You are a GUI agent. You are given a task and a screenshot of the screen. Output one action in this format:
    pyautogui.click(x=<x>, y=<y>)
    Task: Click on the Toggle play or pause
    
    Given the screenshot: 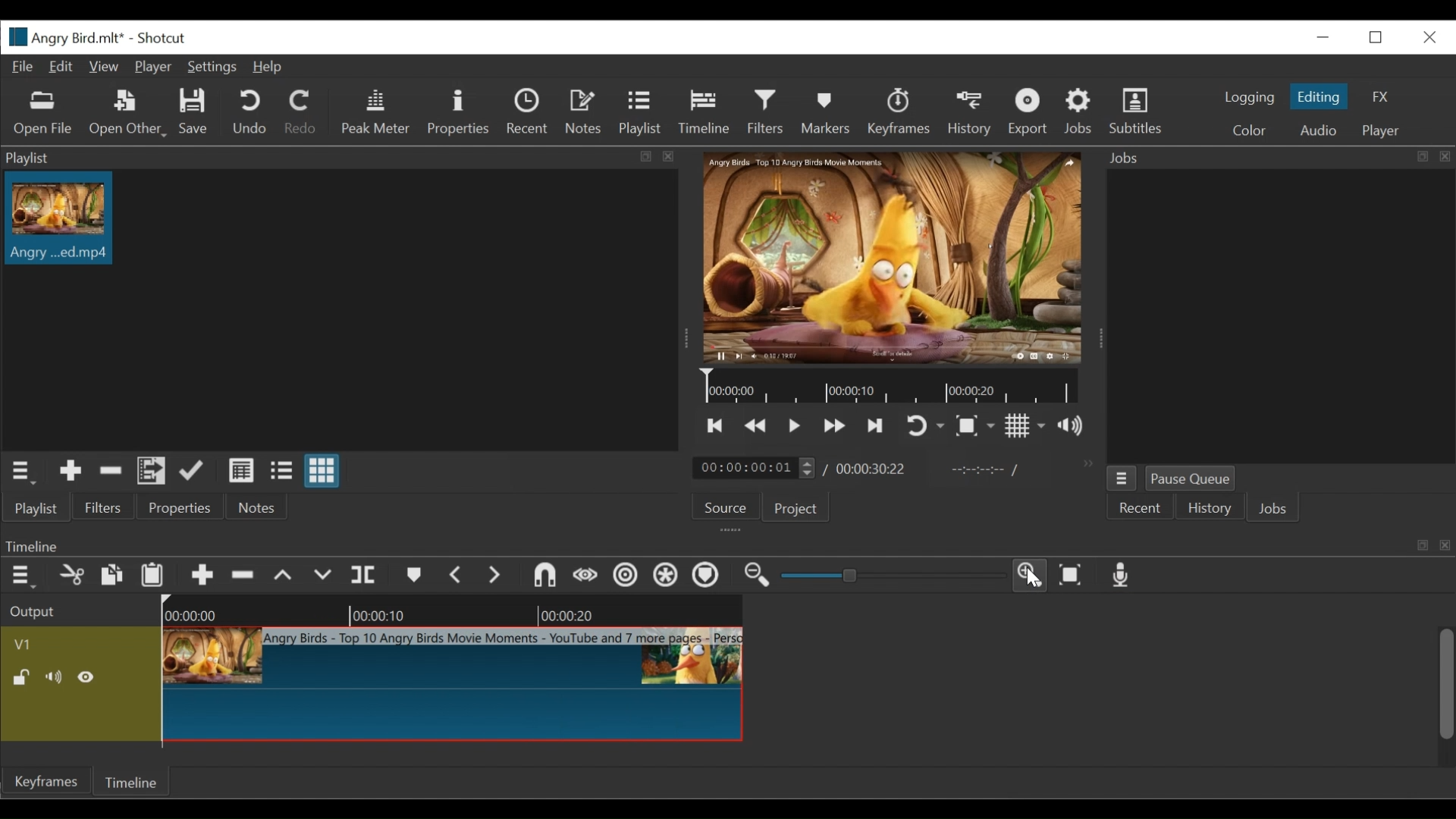 What is the action you would take?
    pyautogui.click(x=795, y=428)
    